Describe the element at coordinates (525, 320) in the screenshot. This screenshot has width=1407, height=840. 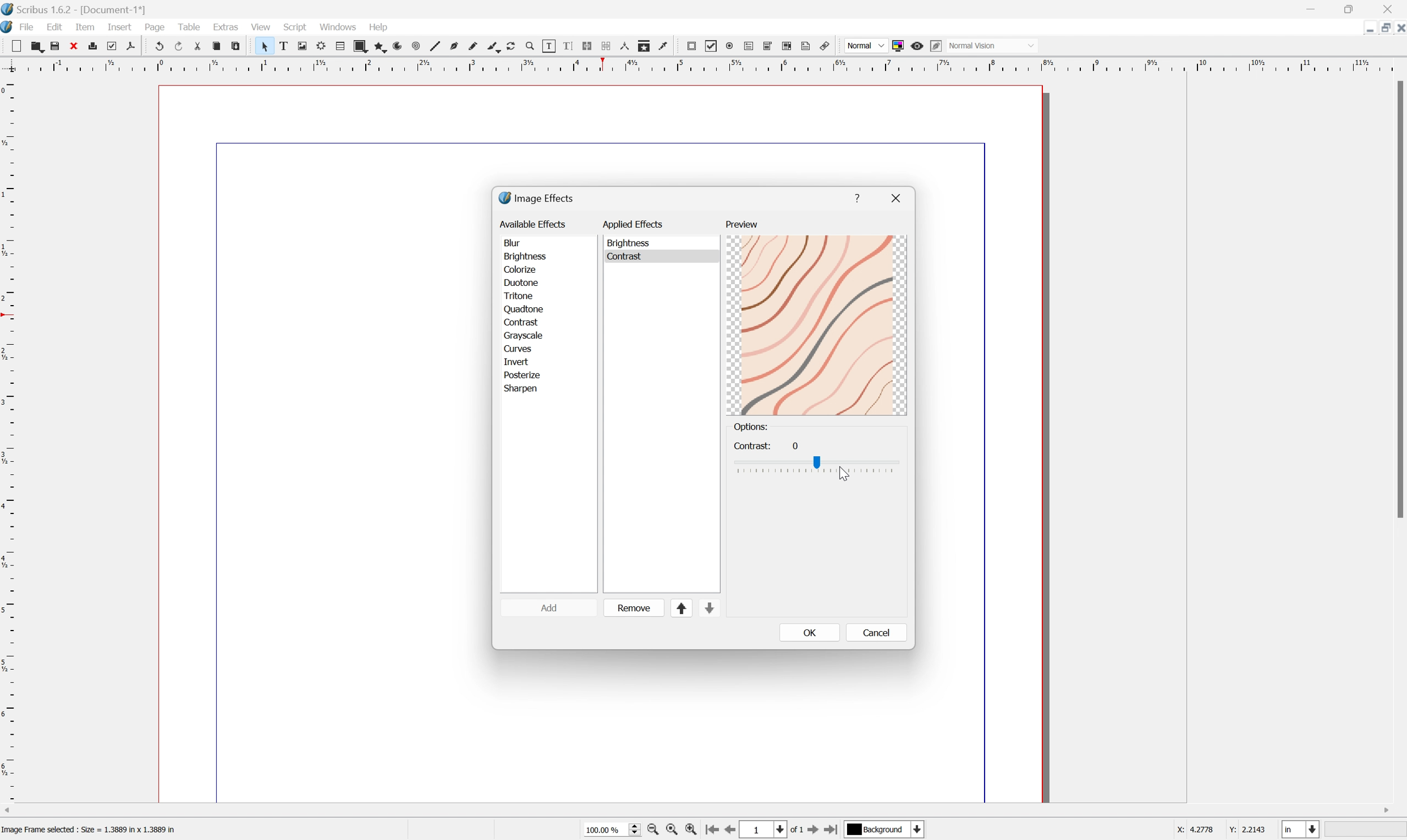
I see `contrast` at that location.